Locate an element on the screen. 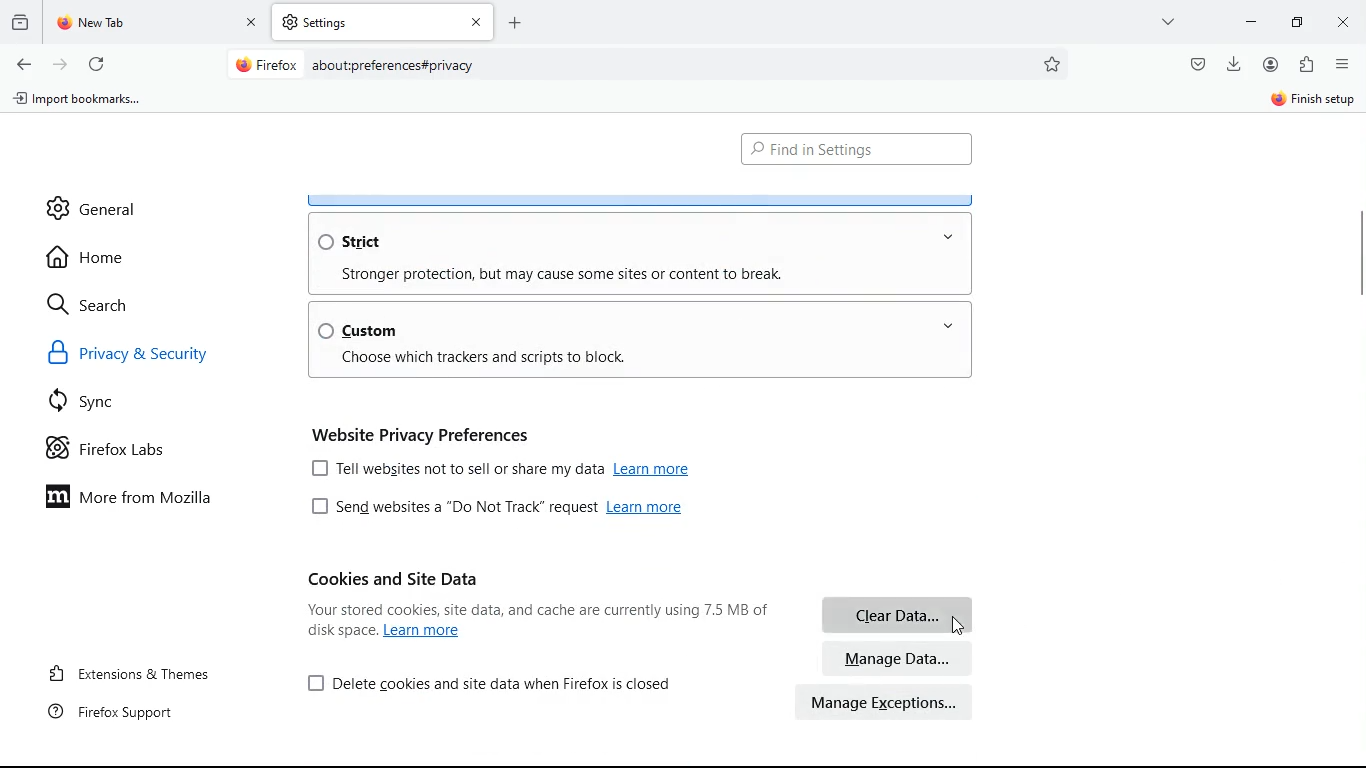 Image resolution: width=1366 pixels, height=768 pixels. Search bar is located at coordinates (644, 66).